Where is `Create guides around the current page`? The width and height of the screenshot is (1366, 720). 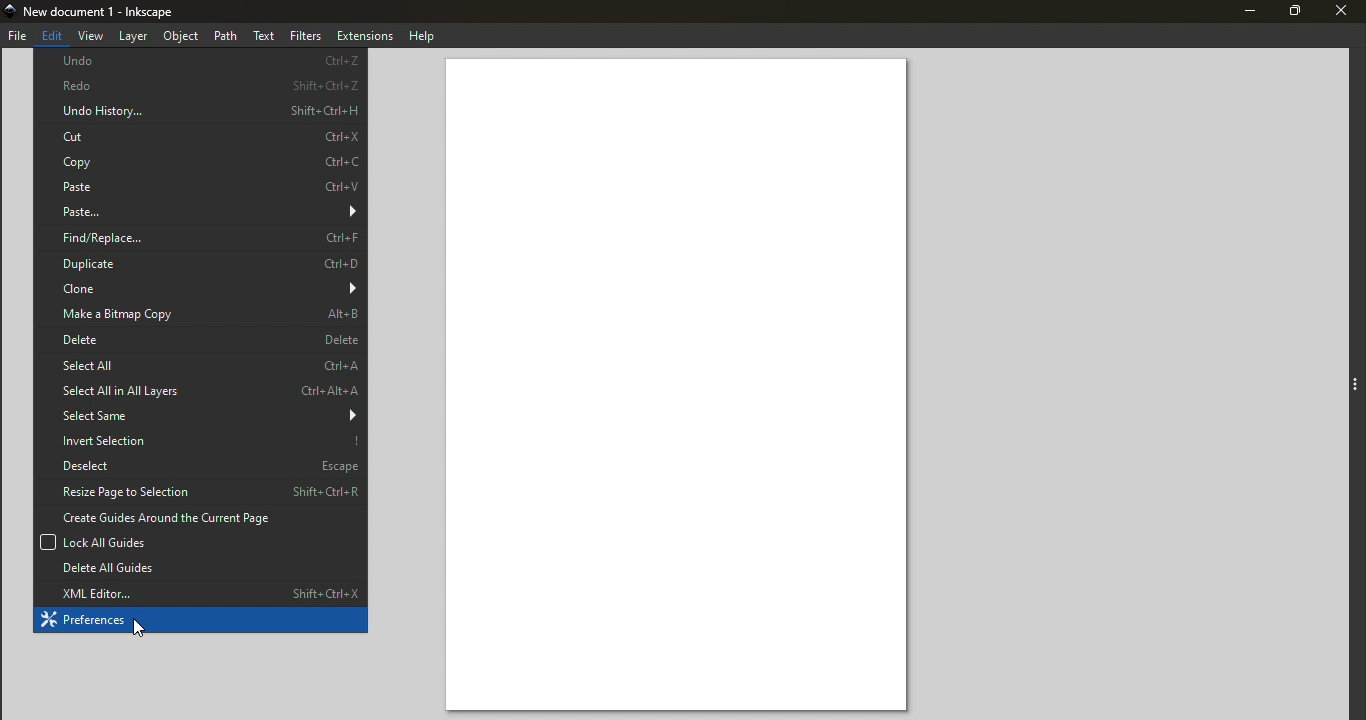 Create guides around the current page is located at coordinates (201, 517).